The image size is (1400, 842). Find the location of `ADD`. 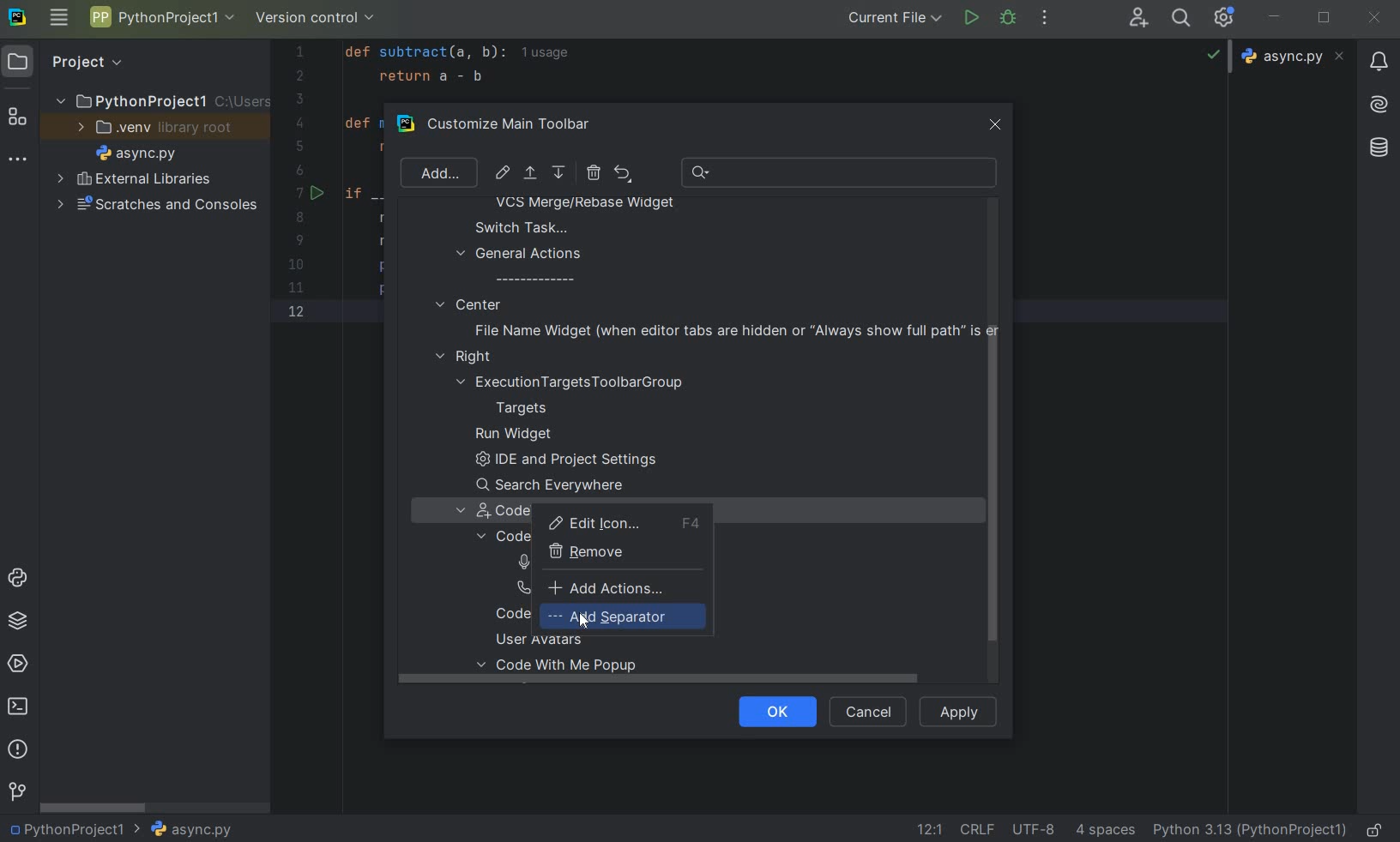

ADD is located at coordinates (437, 172).